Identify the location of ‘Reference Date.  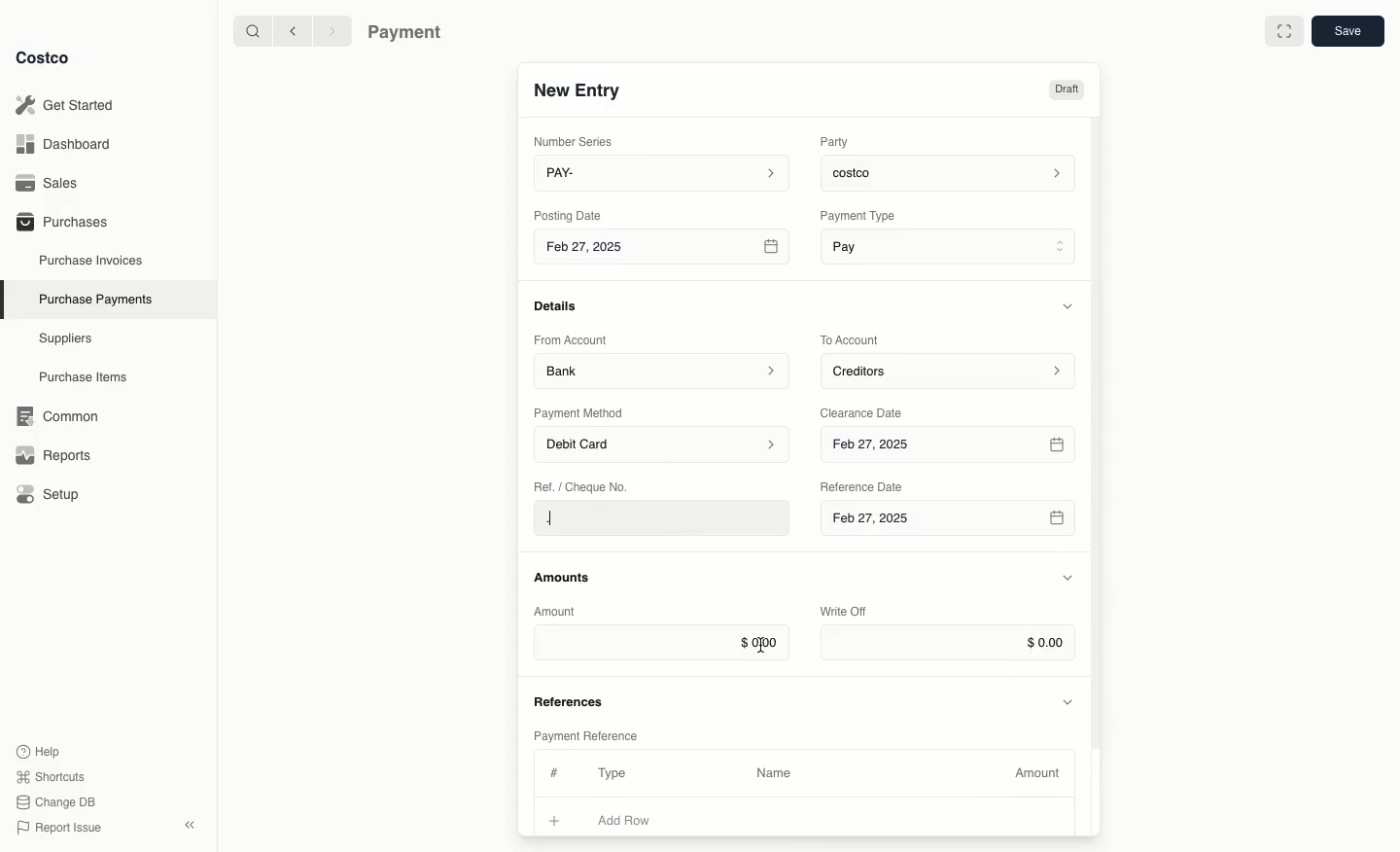
(863, 486).